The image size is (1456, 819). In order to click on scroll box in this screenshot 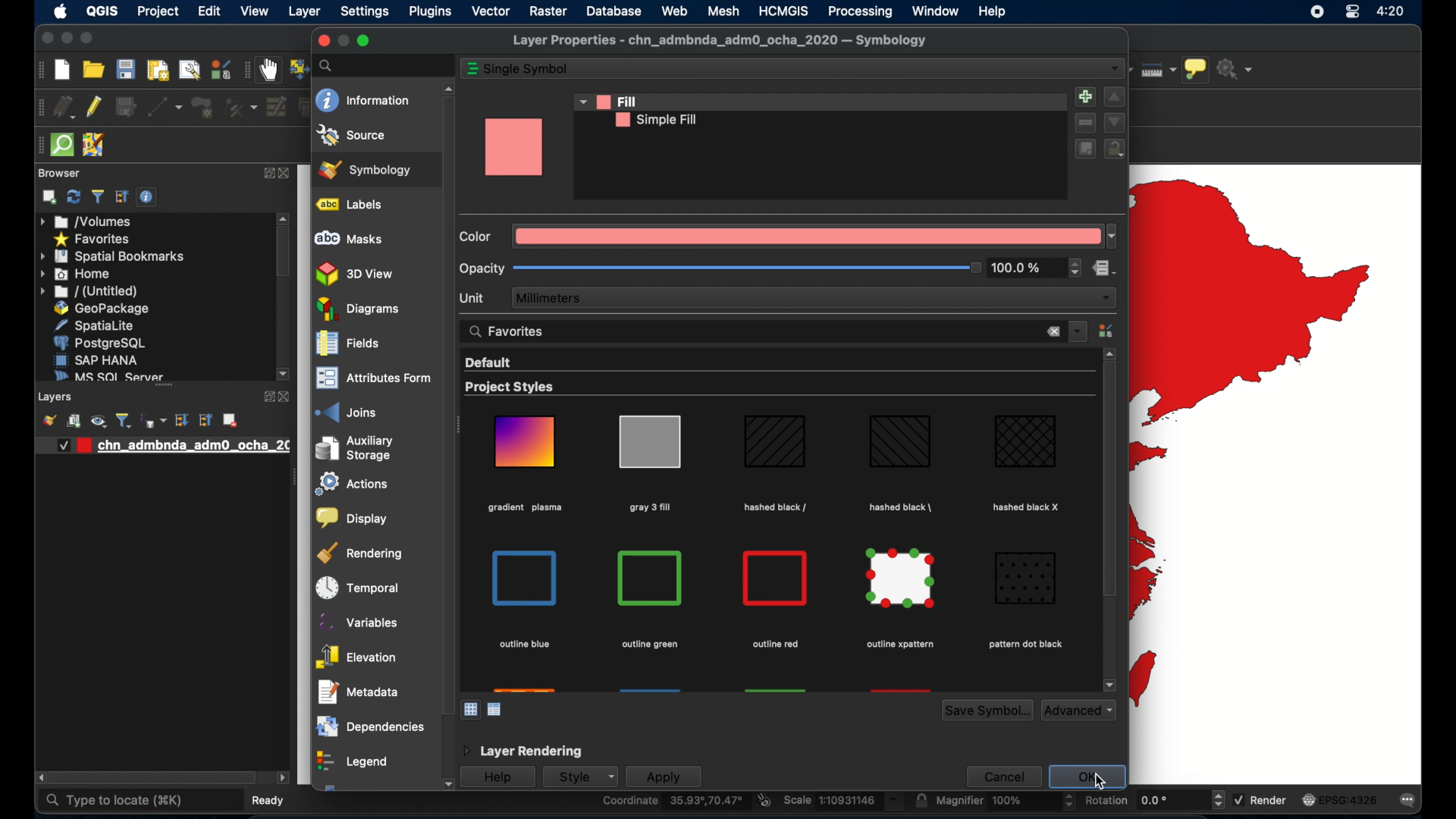, I will do `click(284, 253)`.